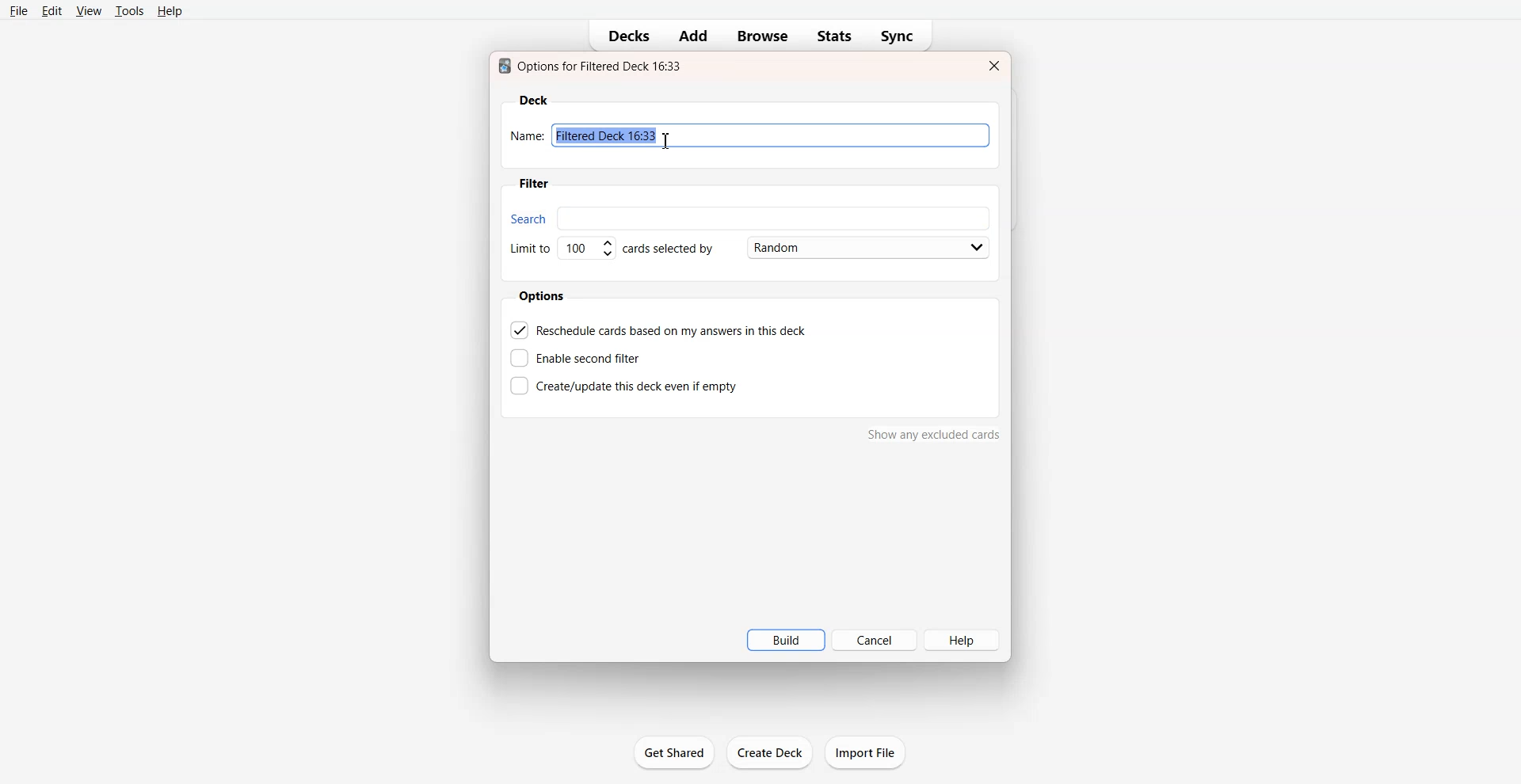 Image resolution: width=1521 pixels, height=784 pixels. What do you see at coordinates (871, 752) in the screenshot?
I see `import file` at bounding box center [871, 752].